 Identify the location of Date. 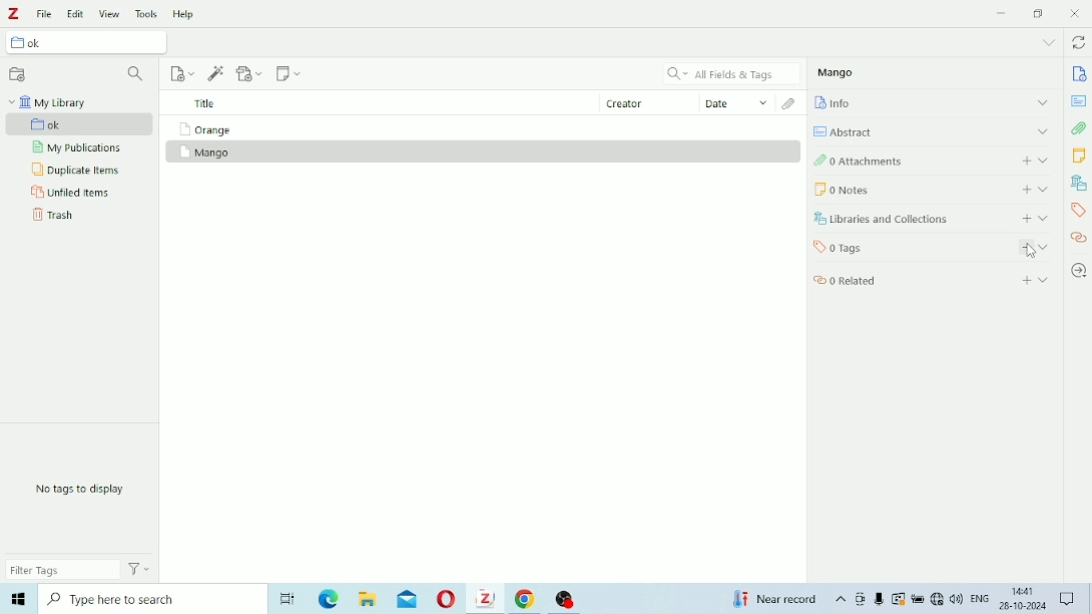
(737, 103).